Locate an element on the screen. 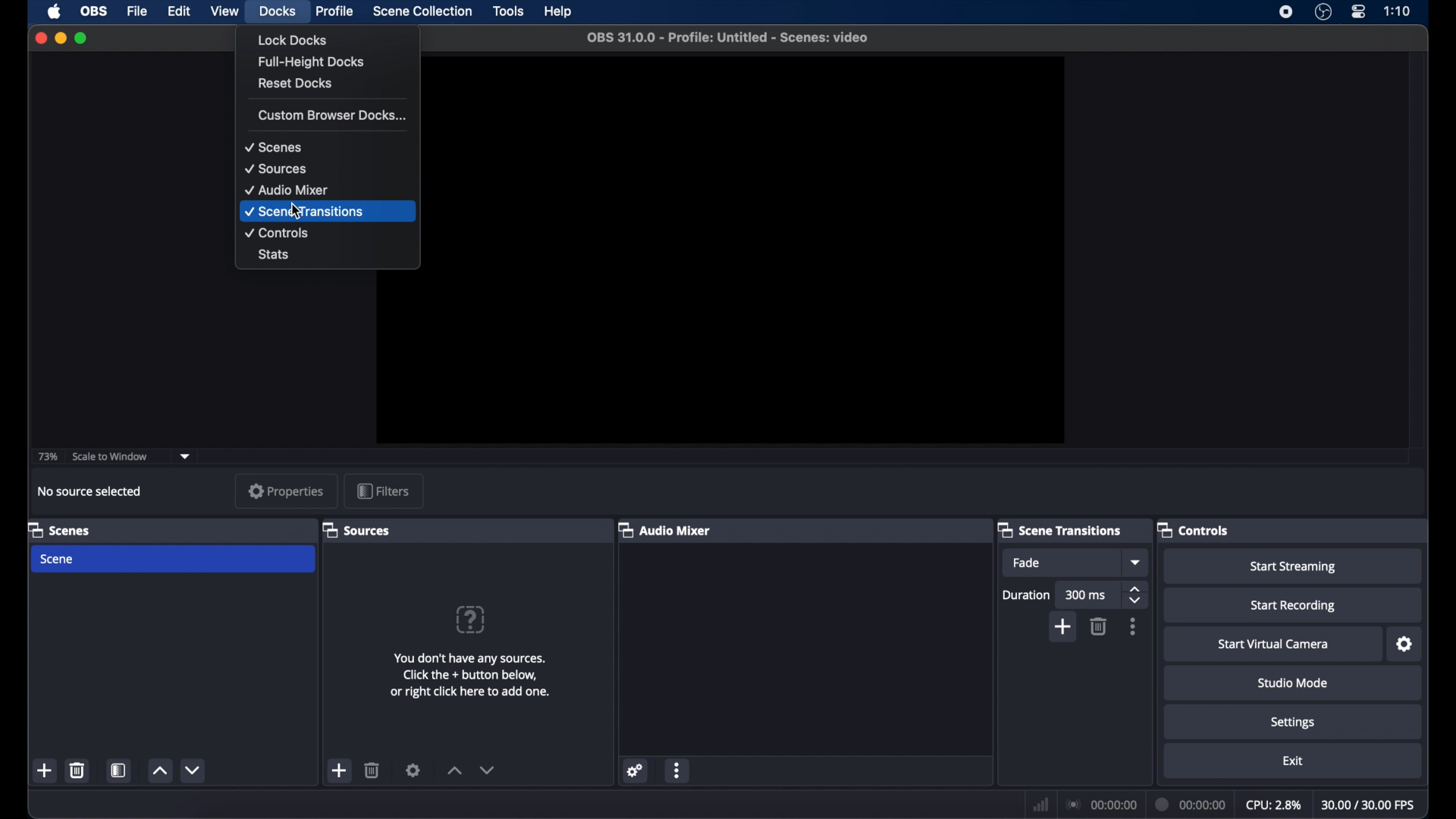 This screenshot has height=819, width=1456. settings is located at coordinates (413, 770).